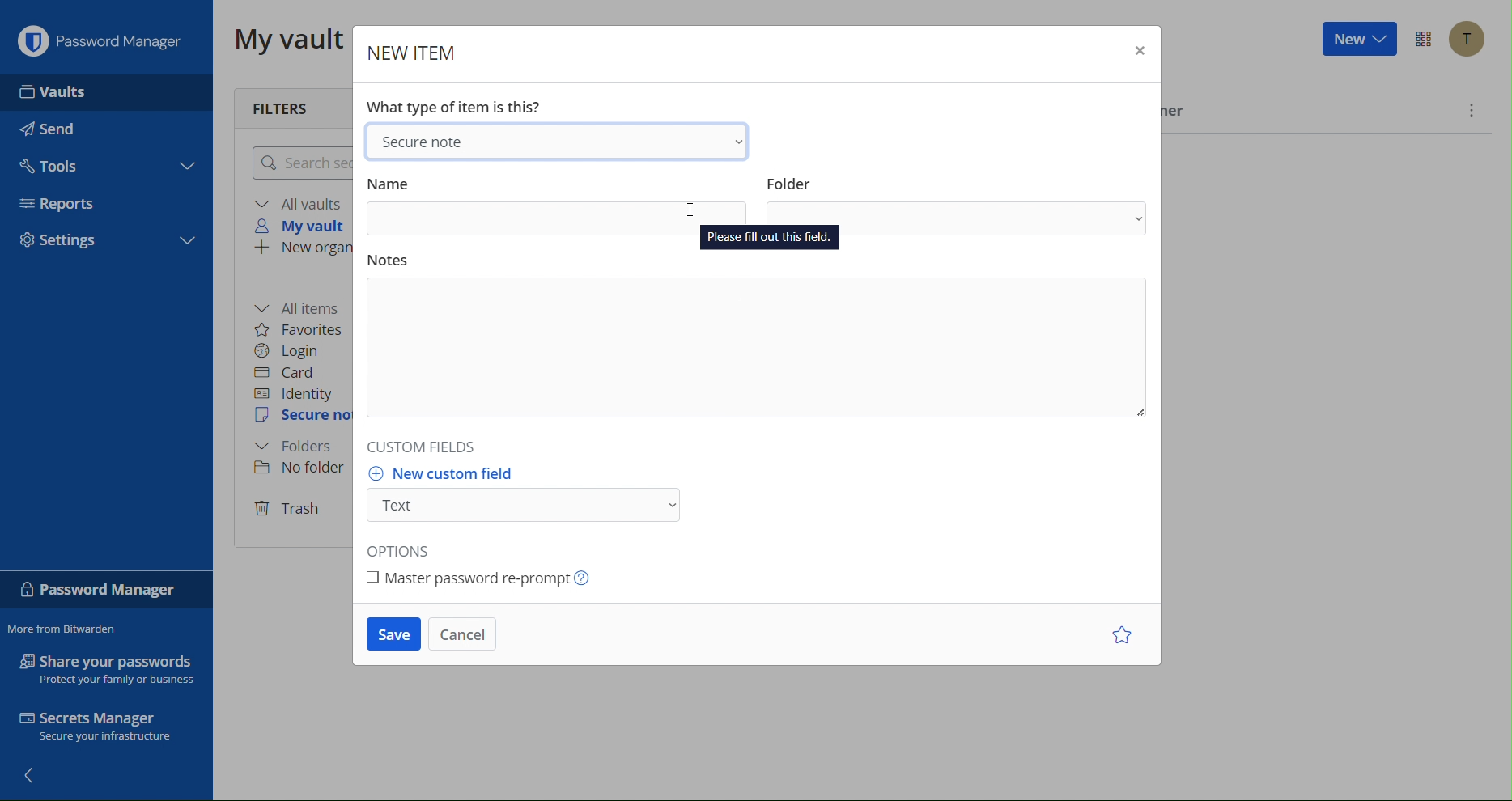 The image size is (1512, 801). What do you see at coordinates (291, 507) in the screenshot?
I see `Trash` at bounding box center [291, 507].